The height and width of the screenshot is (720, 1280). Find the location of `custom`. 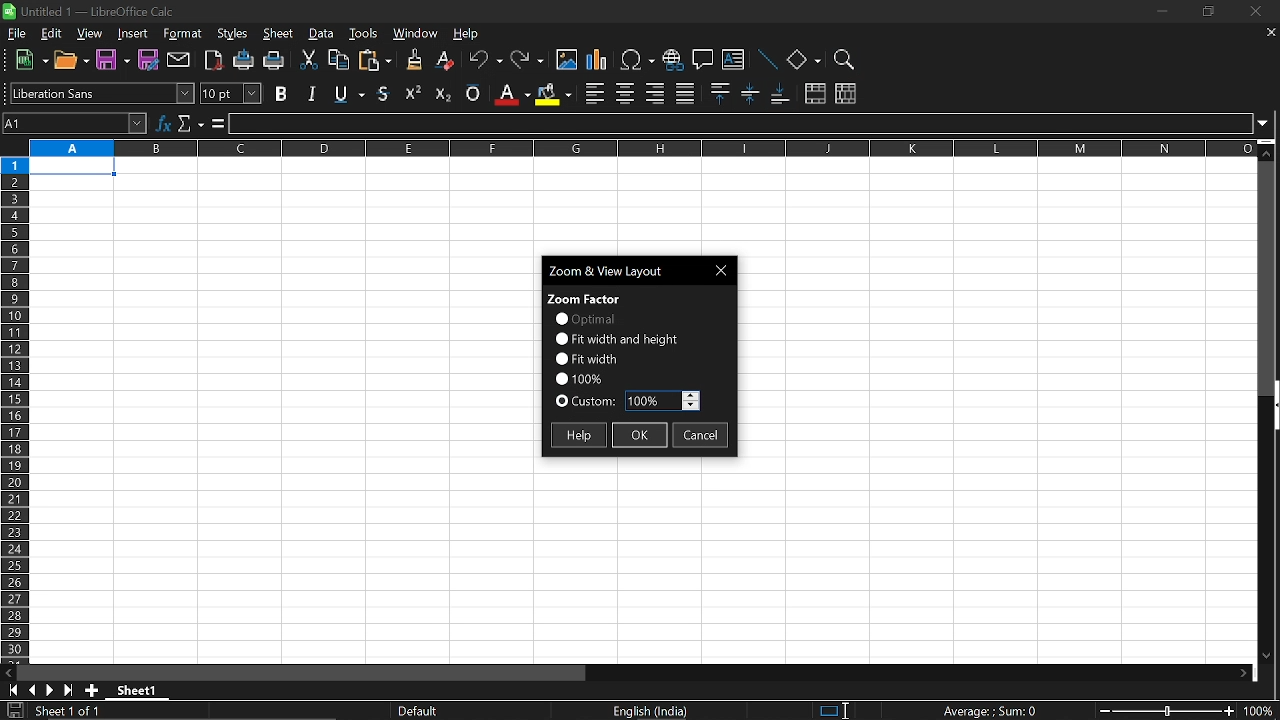

custom is located at coordinates (586, 403).